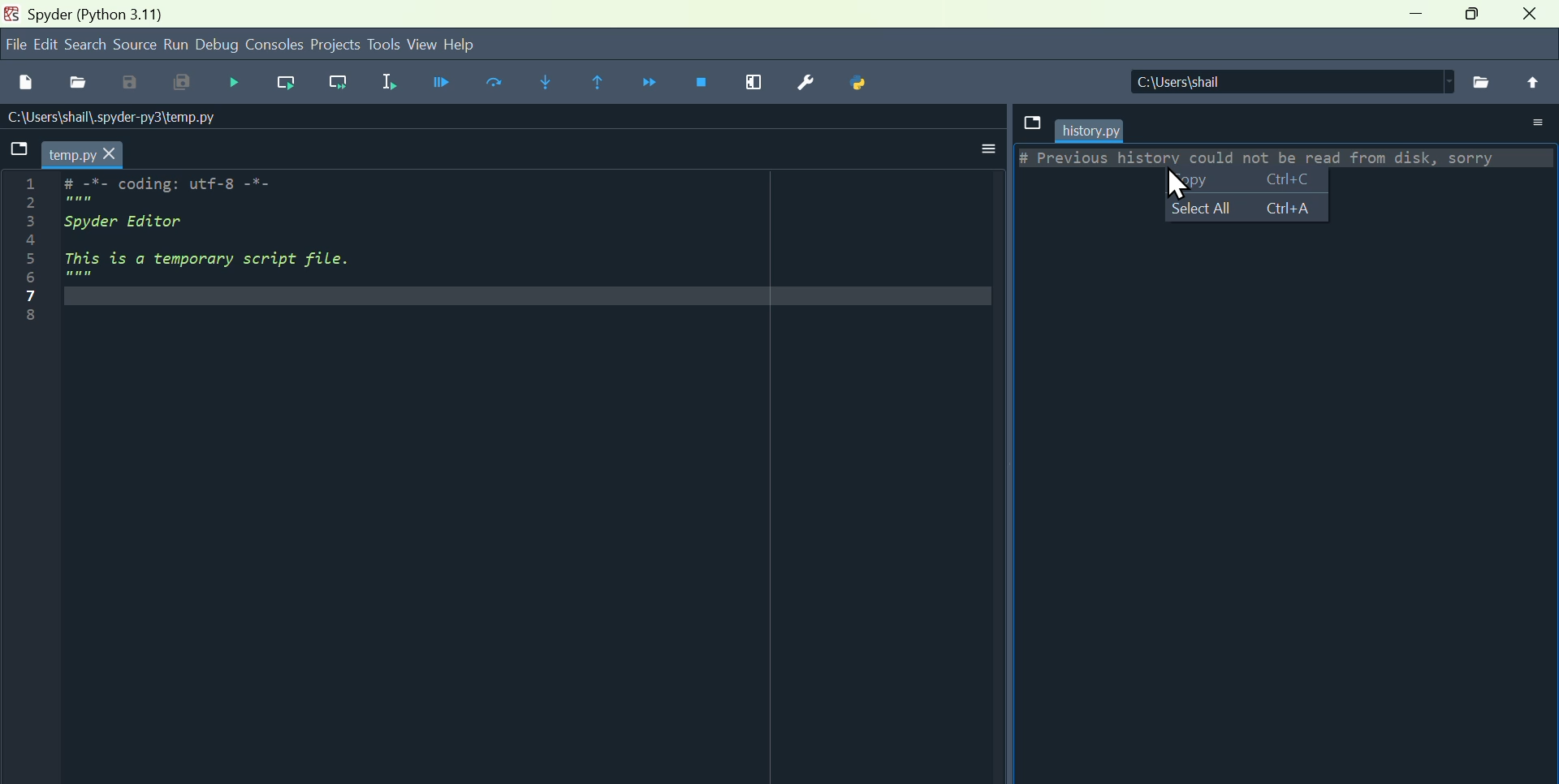  What do you see at coordinates (29, 252) in the screenshot?
I see `1 2 3 4 5 6 7 8` at bounding box center [29, 252].